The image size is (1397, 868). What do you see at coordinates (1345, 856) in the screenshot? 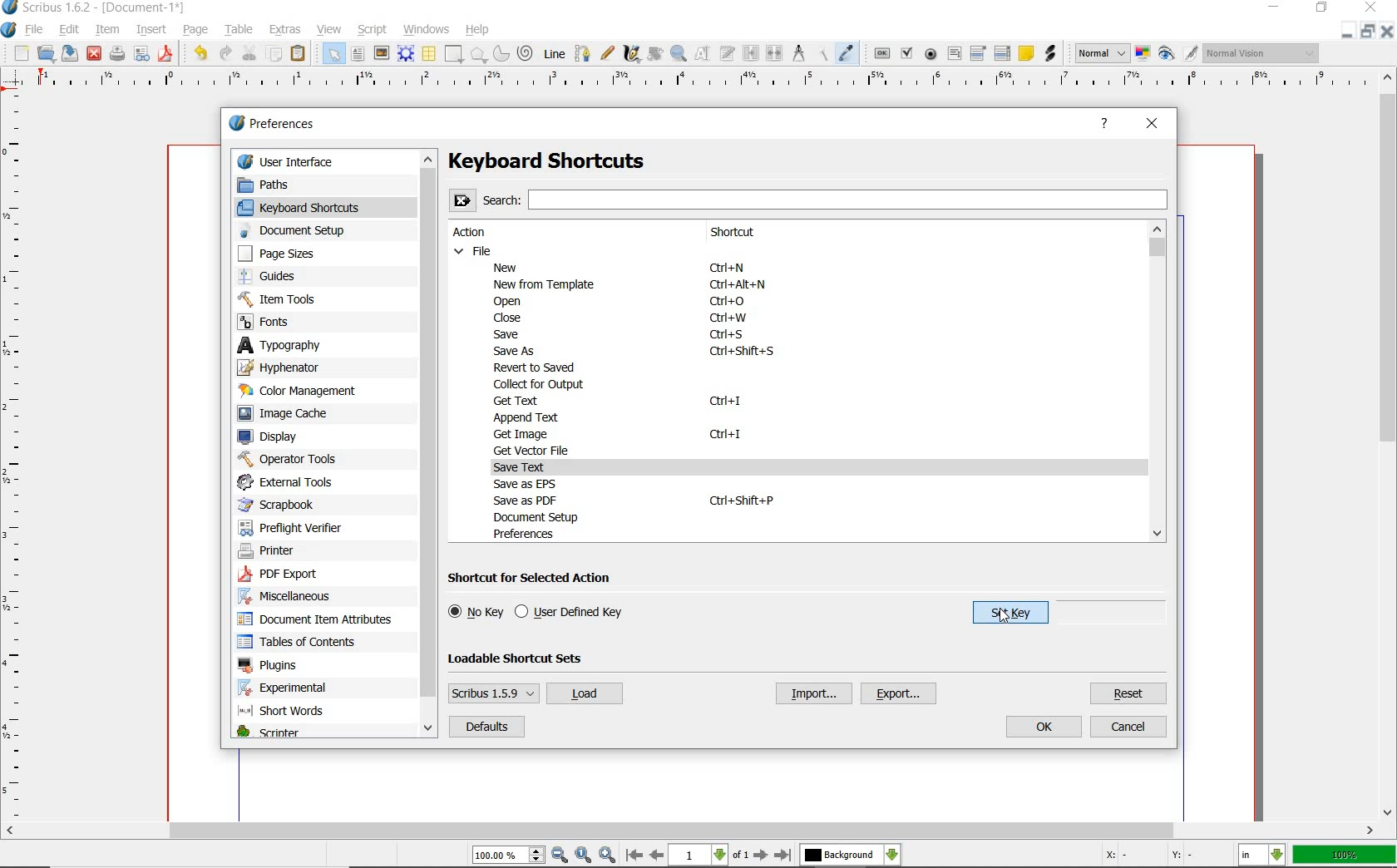
I see `zoom factor` at bounding box center [1345, 856].